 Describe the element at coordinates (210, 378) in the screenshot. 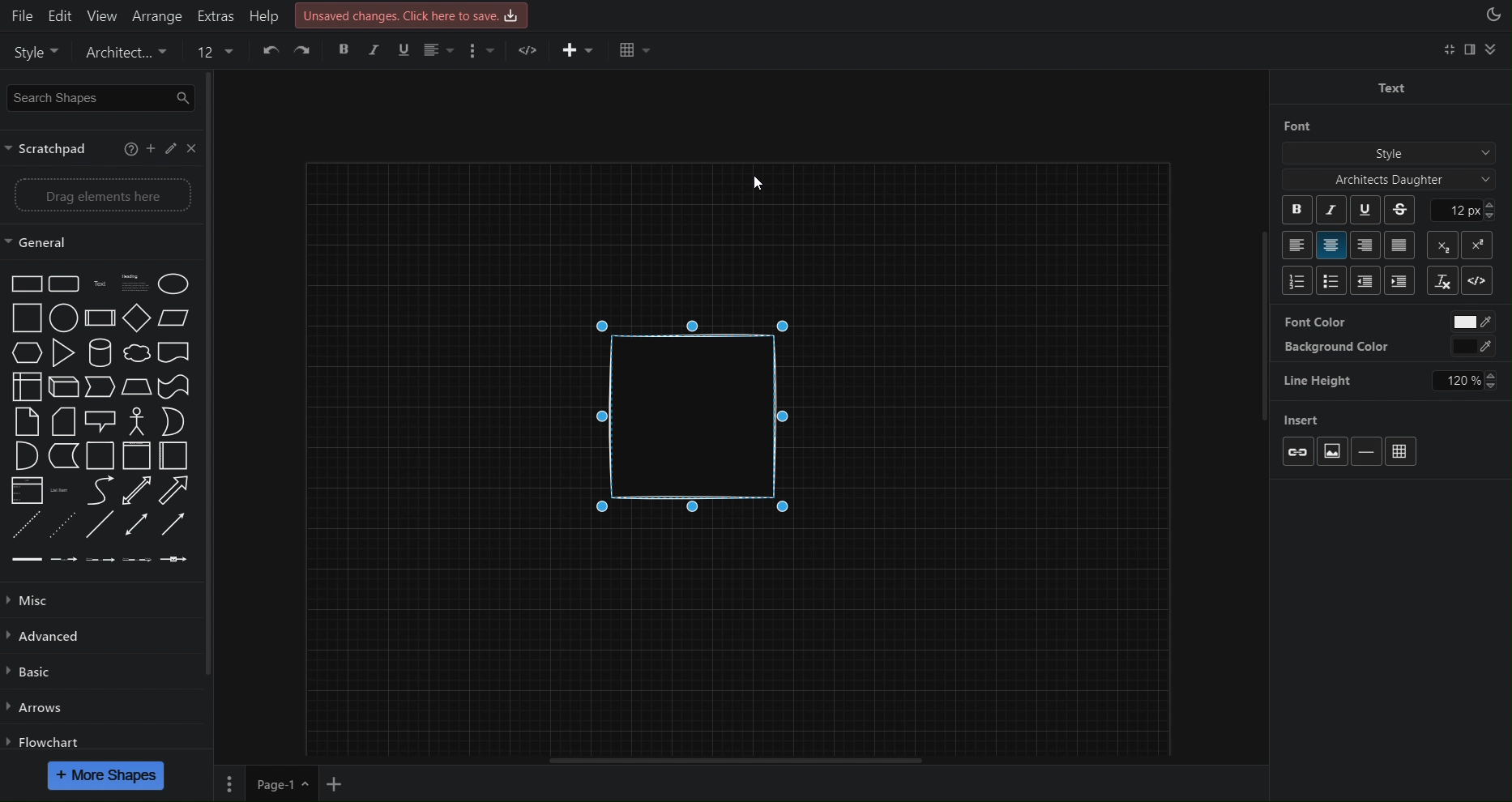

I see `Scrollbar` at that location.